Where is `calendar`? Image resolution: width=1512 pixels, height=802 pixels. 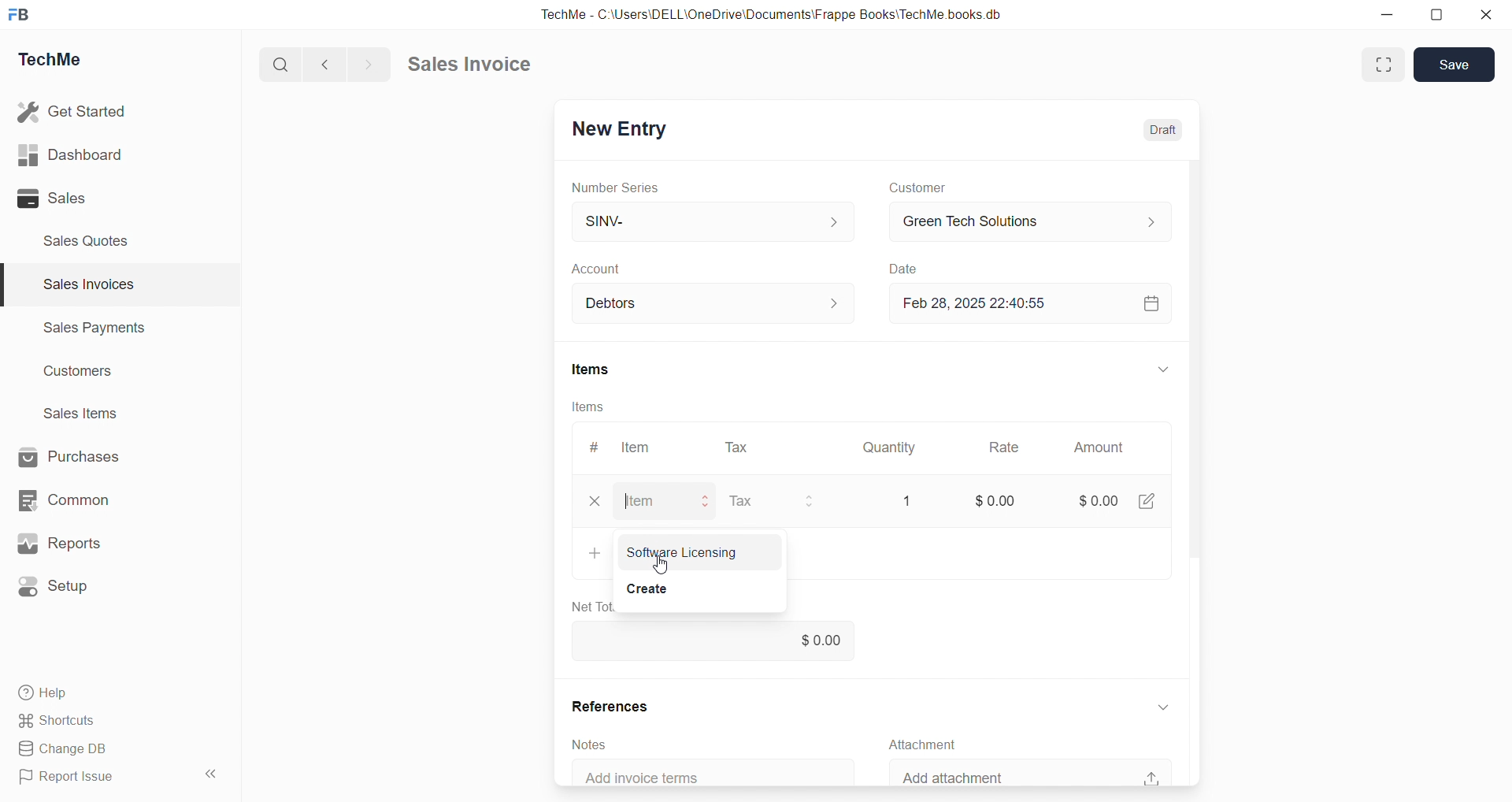 calendar is located at coordinates (1151, 303).